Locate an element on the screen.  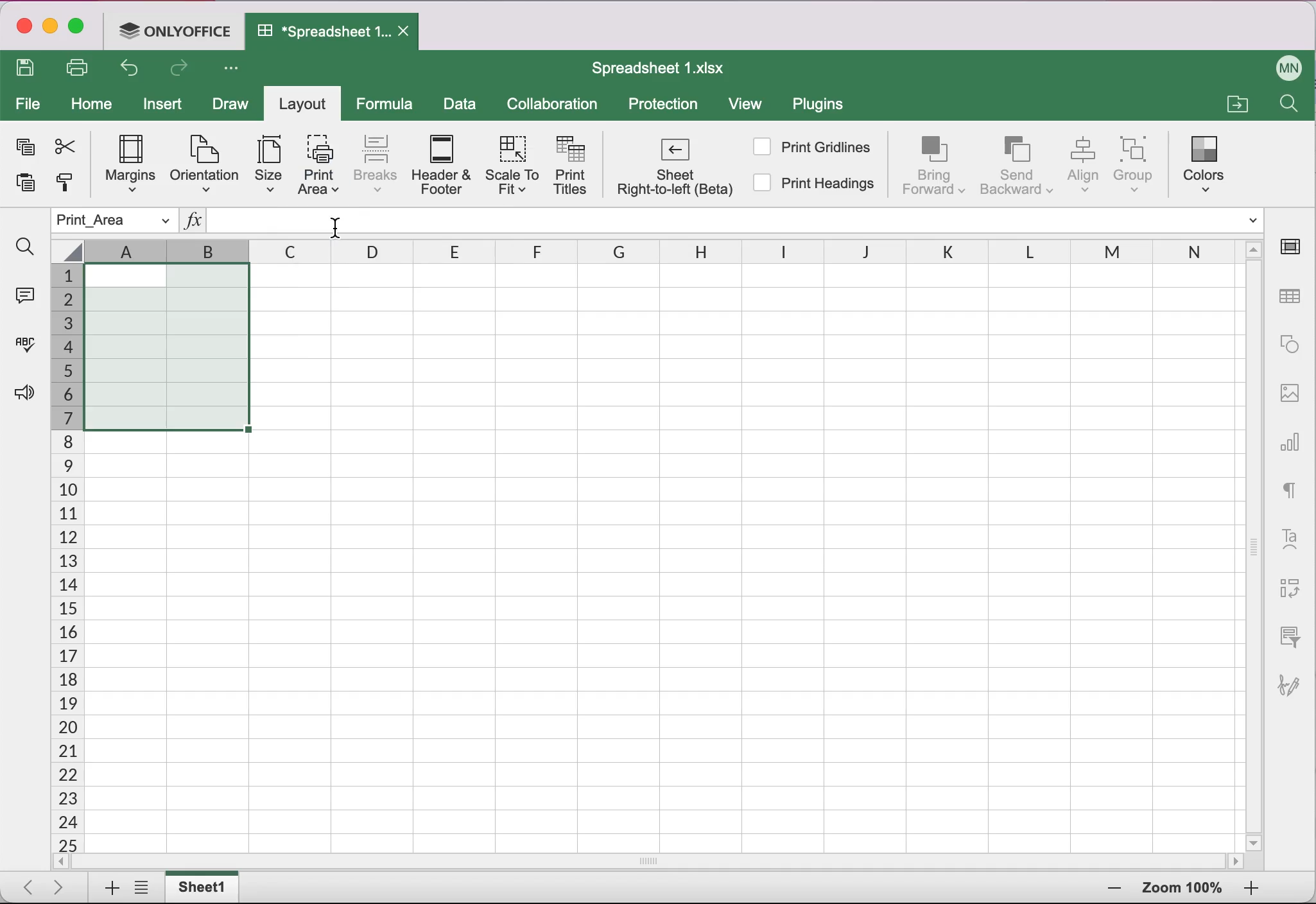
layout is located at coordinates (306, 106).